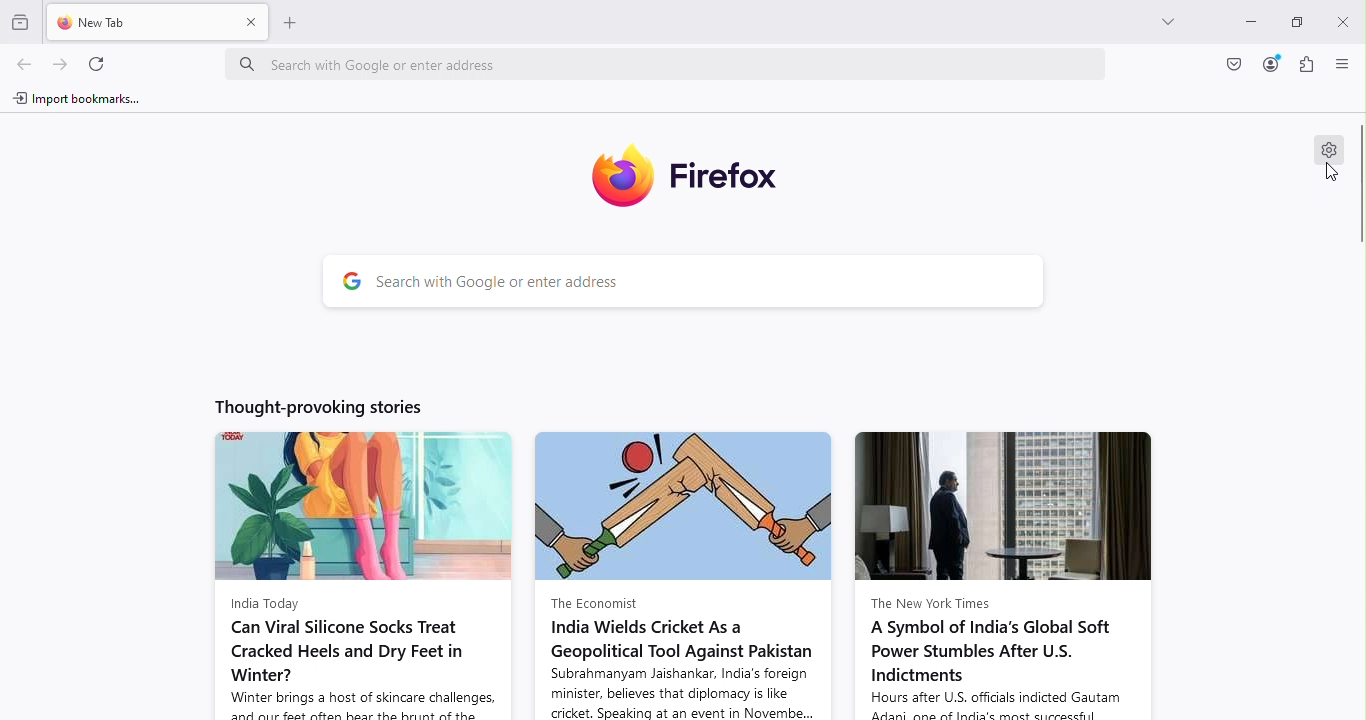  I want to click on Extensions, so click(1307, 64).